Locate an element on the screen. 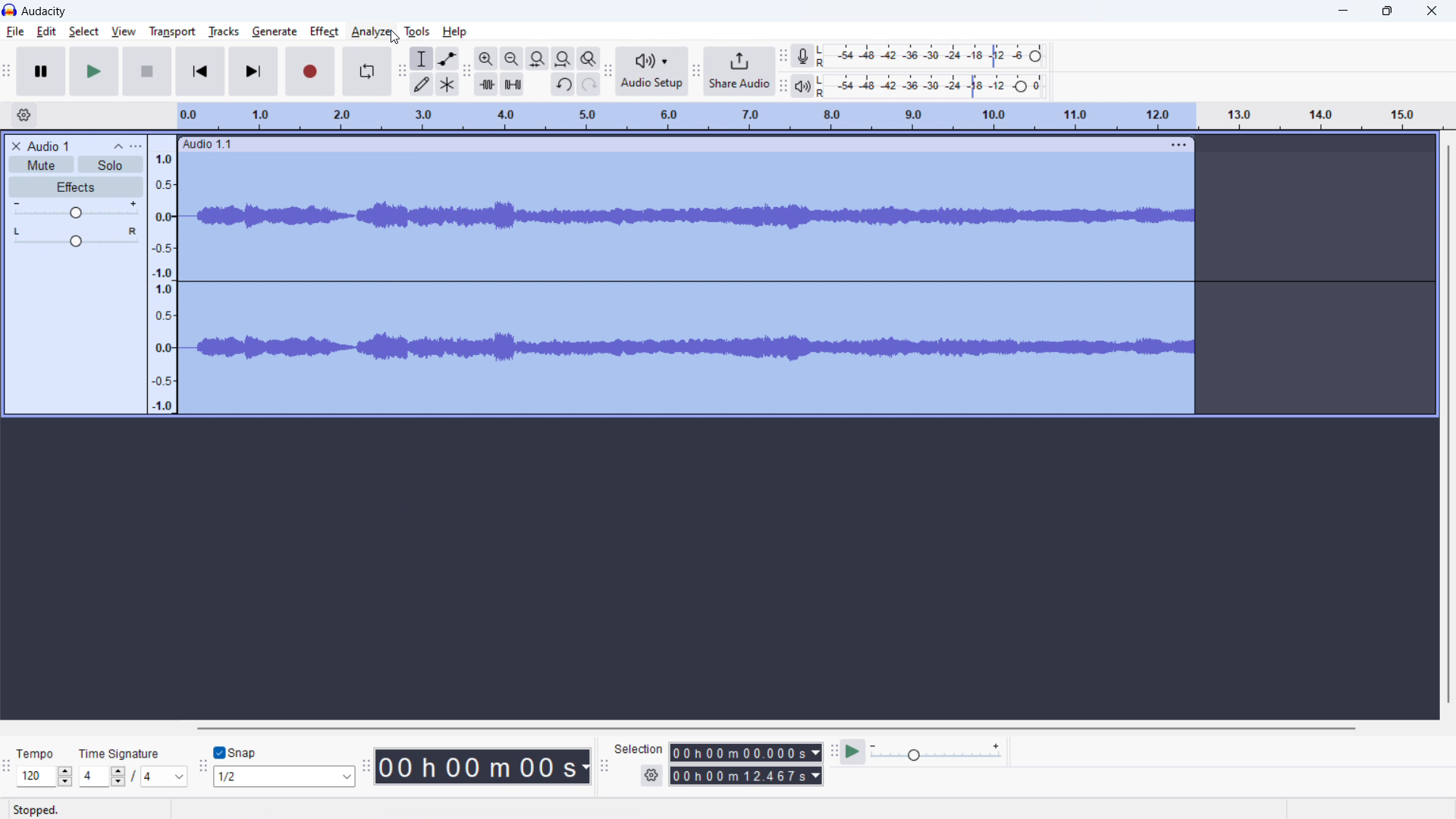 The width and height of the screenshot is (1456, 819). close is located at coordinates (1432, 9).